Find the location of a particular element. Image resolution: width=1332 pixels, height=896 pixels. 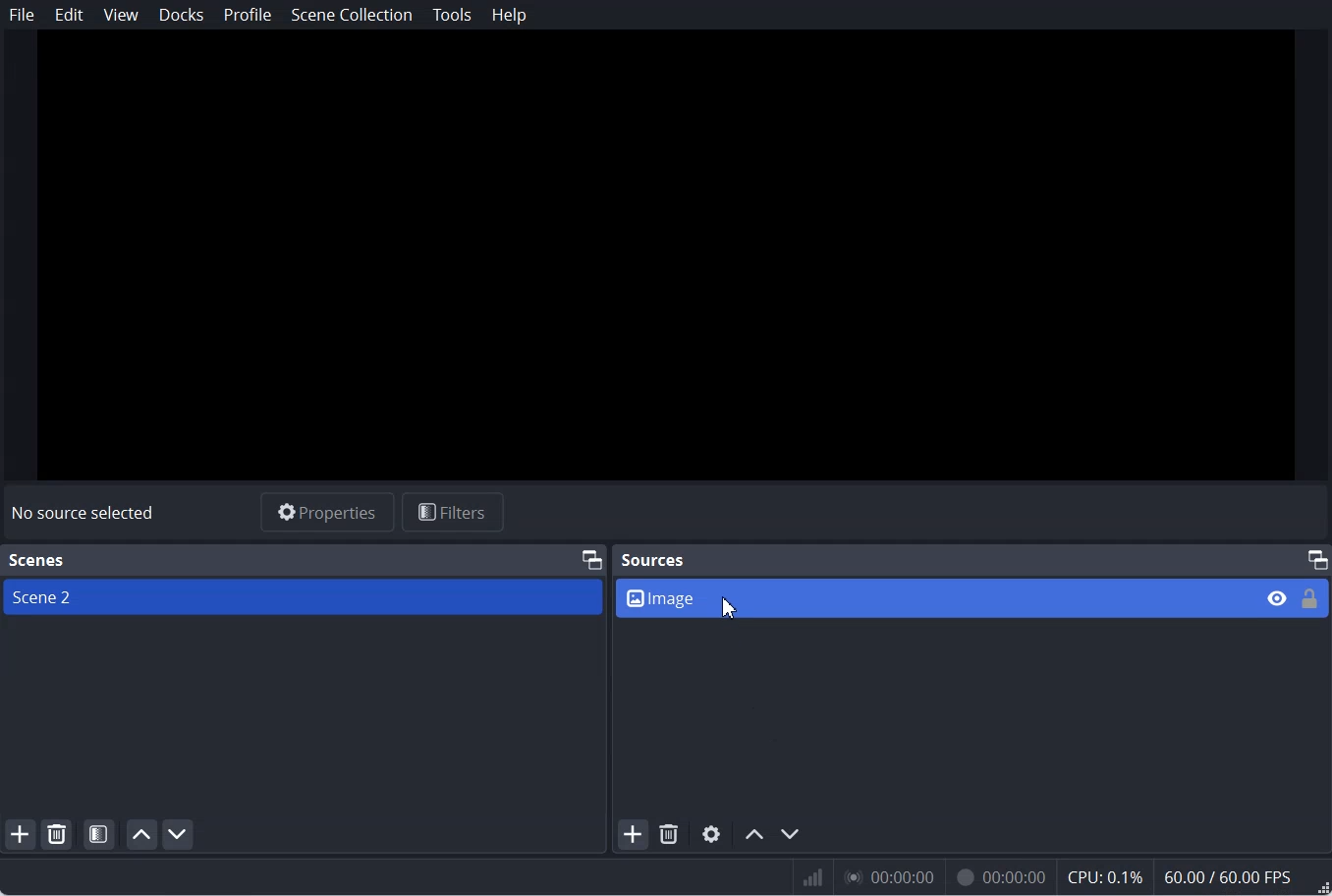

Sources is located at coordinates (653, 561).